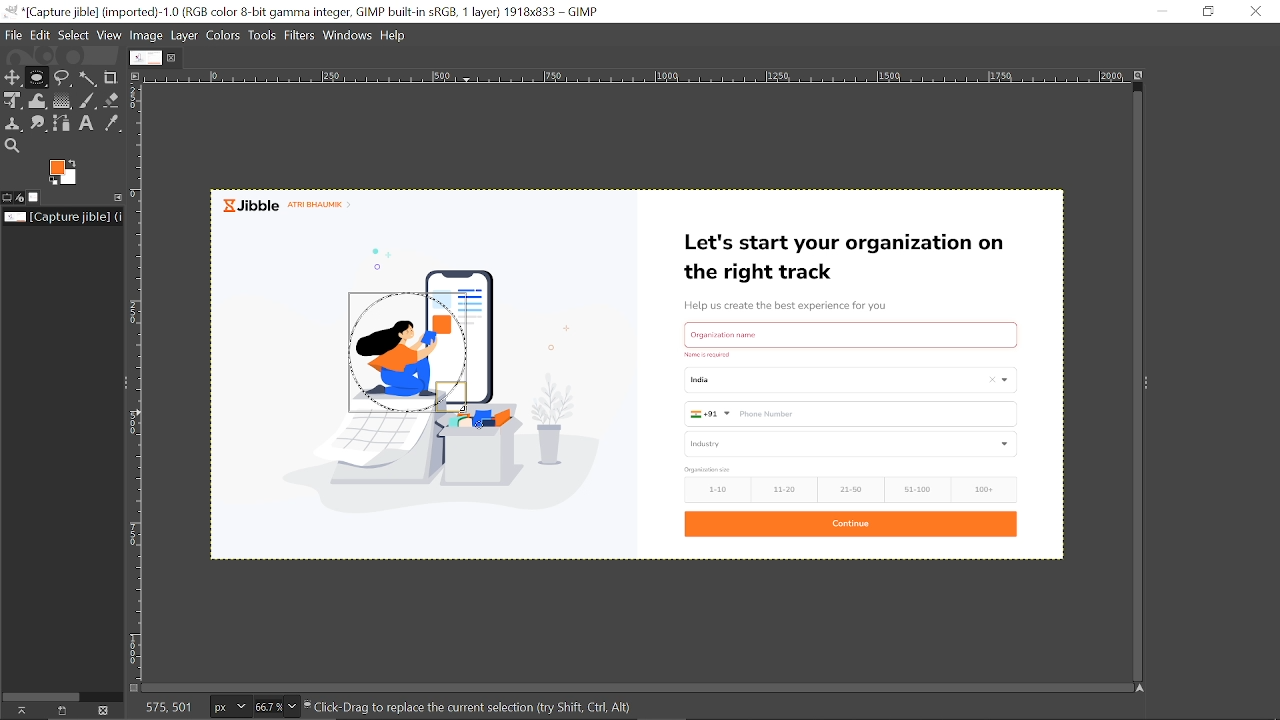  Describe the element at coordinates (1210, 11) in the screenshot. I see `Rdownestore ` at that location.